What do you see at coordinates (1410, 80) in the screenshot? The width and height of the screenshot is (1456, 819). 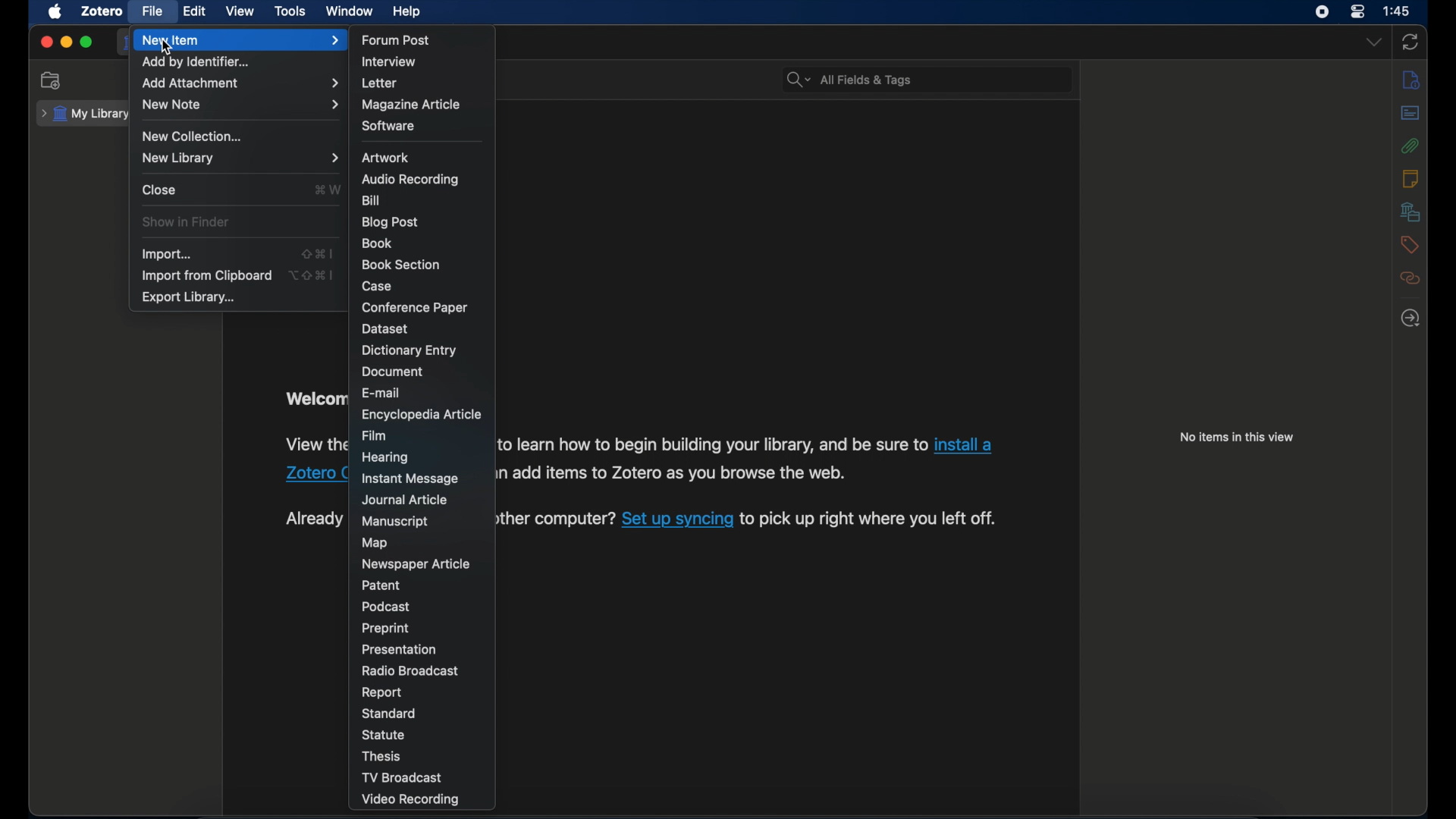 I see `info` at bounding box center [1410, 80].